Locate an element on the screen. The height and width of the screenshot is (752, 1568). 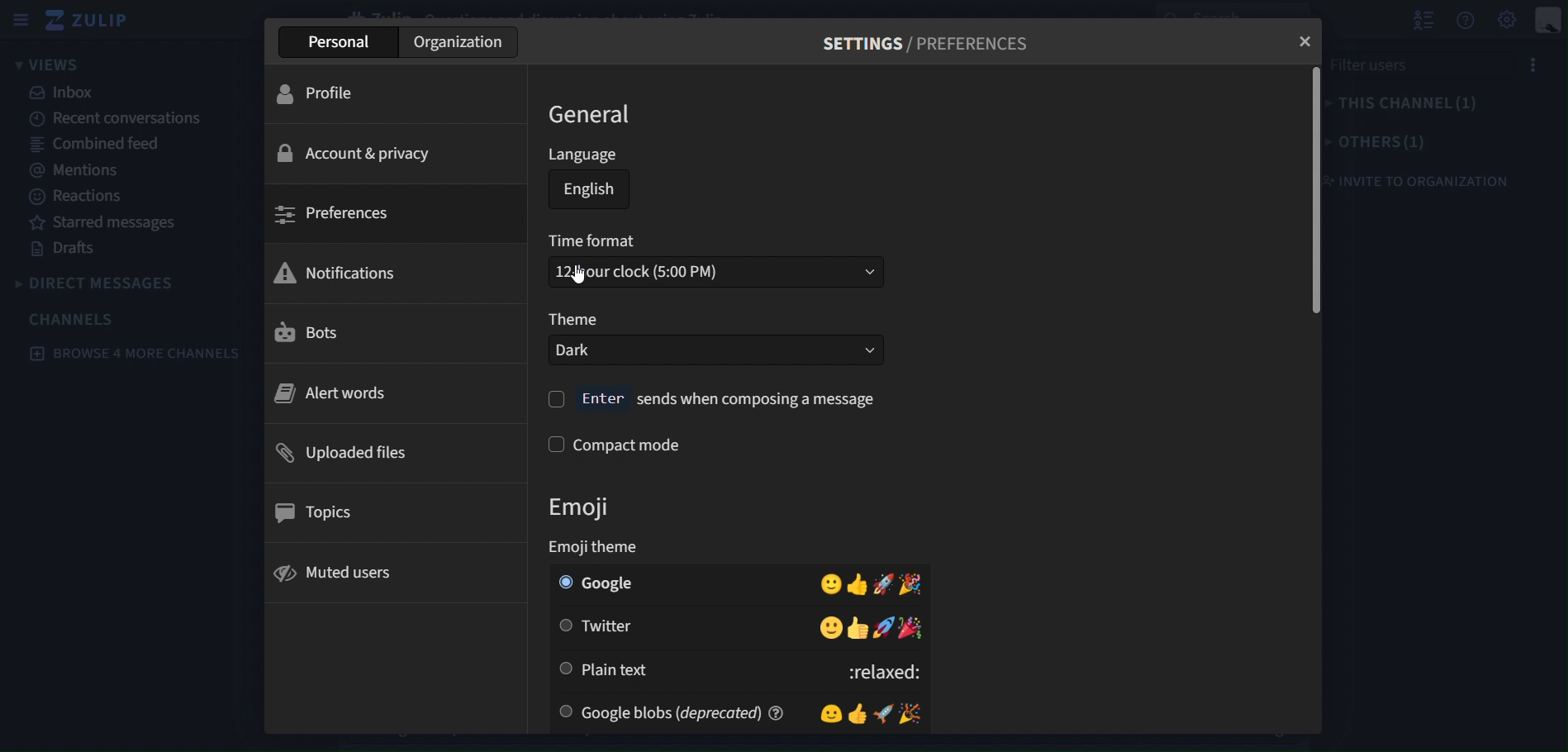
google is located at coordinates (599, 584).